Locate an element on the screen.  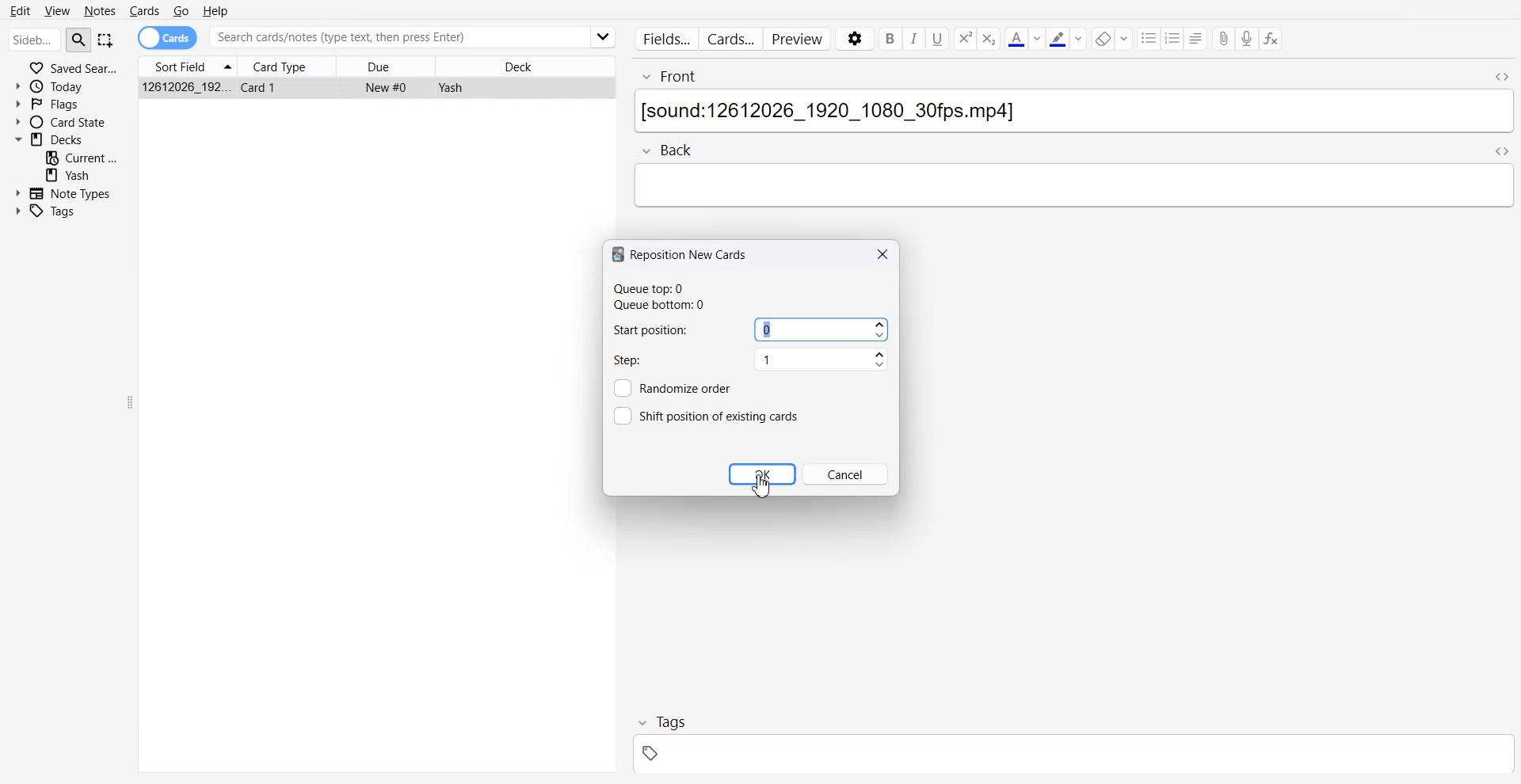
Search Bar is located at coordinates (396, 37).